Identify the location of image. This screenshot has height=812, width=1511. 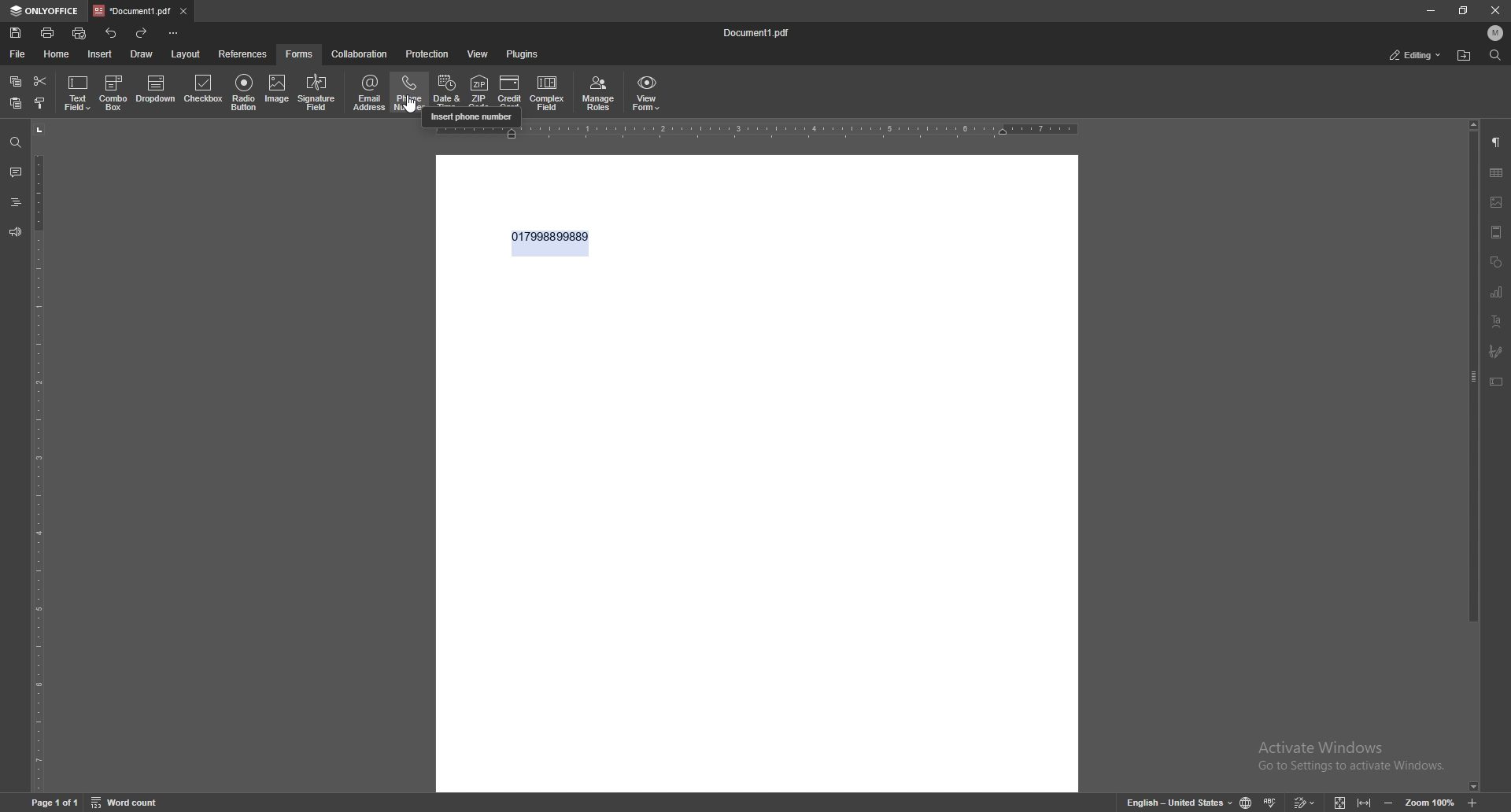
(1497, 201).